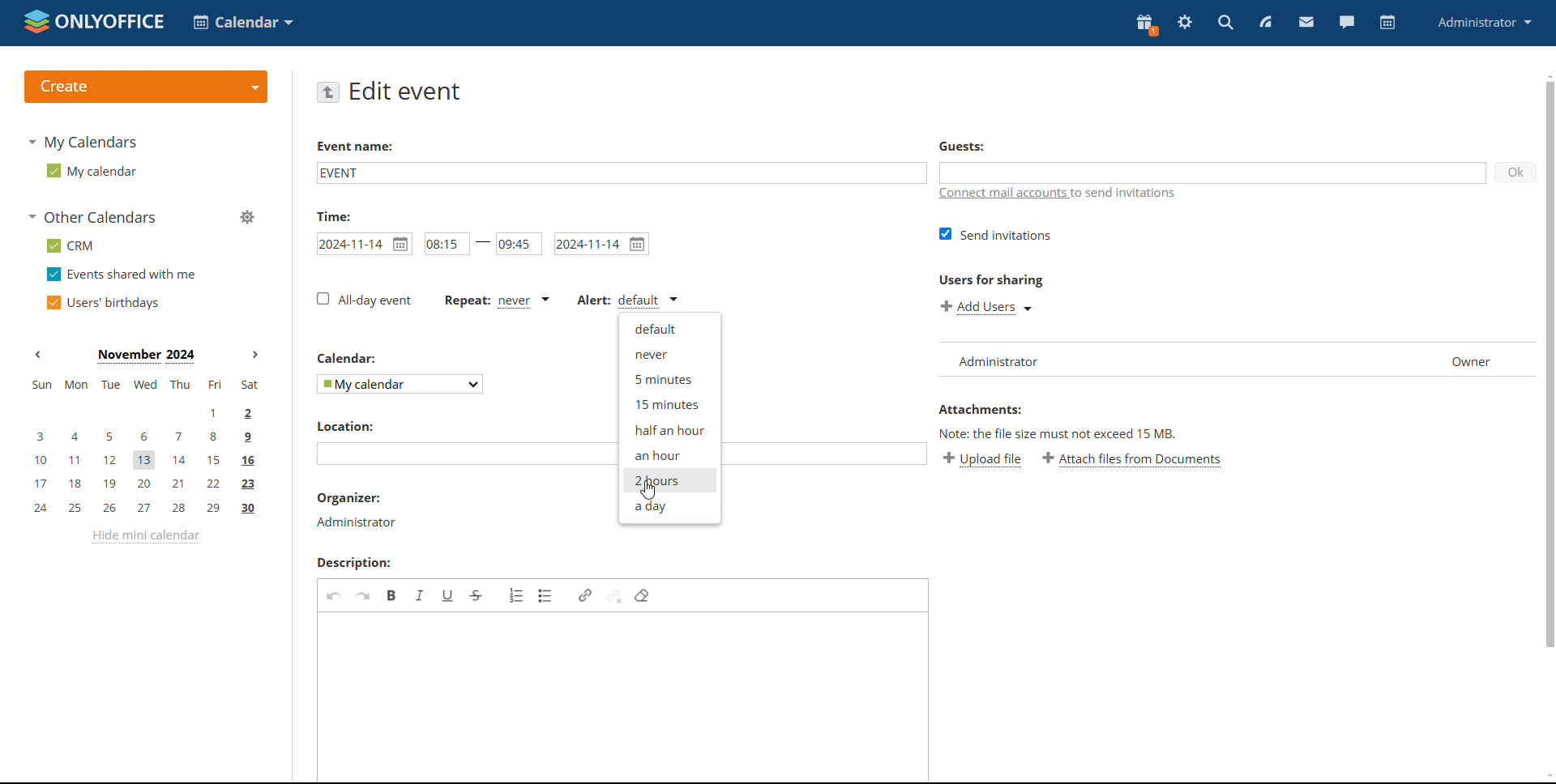 The image size is (1556, 784). What do you see at coordinates (1213, 173) in the screenshot?
I see `add guests` at bounding box center [1213, 173].